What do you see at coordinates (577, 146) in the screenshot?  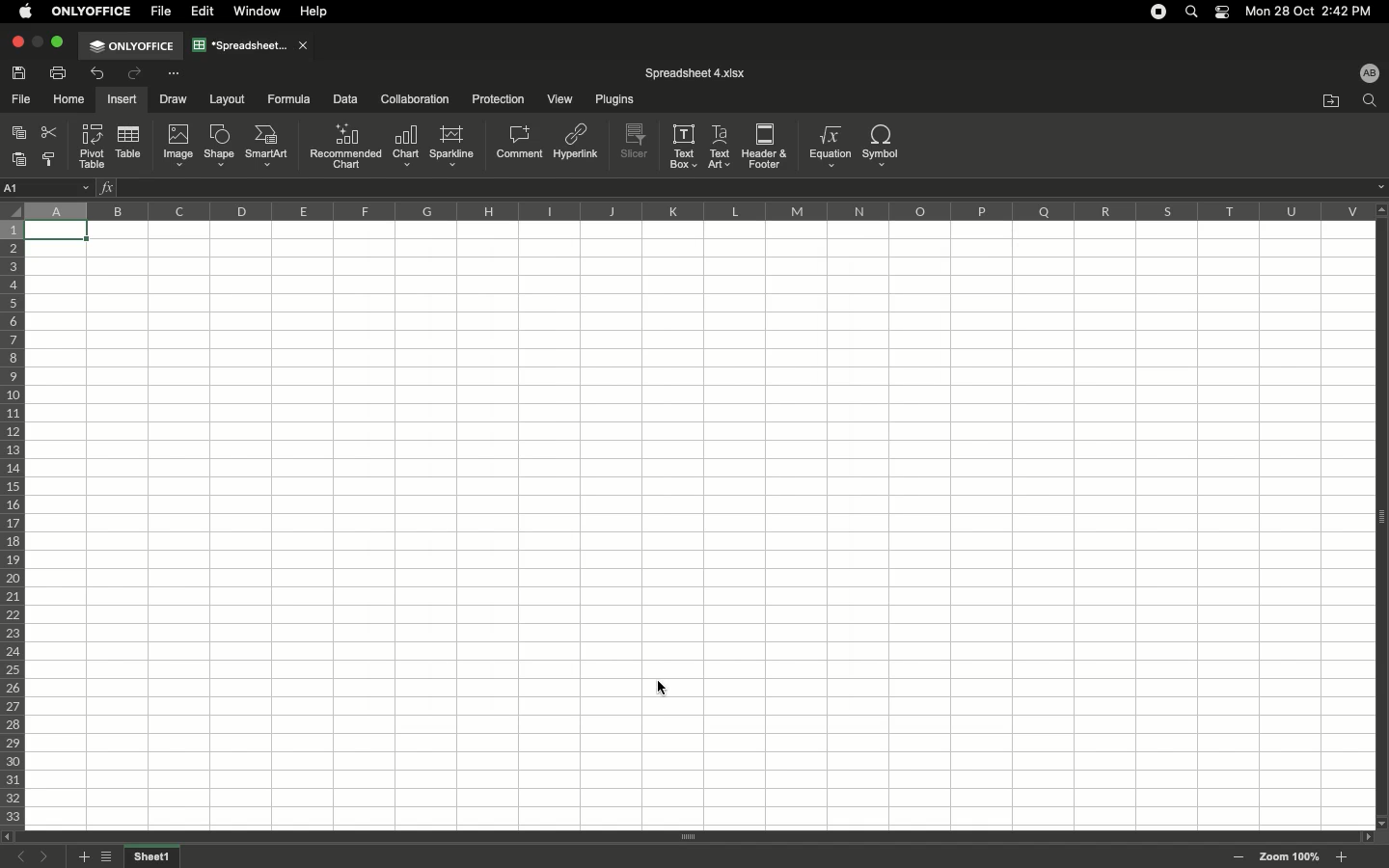 I see `Hyperlink` at bounding box center [577, 146].